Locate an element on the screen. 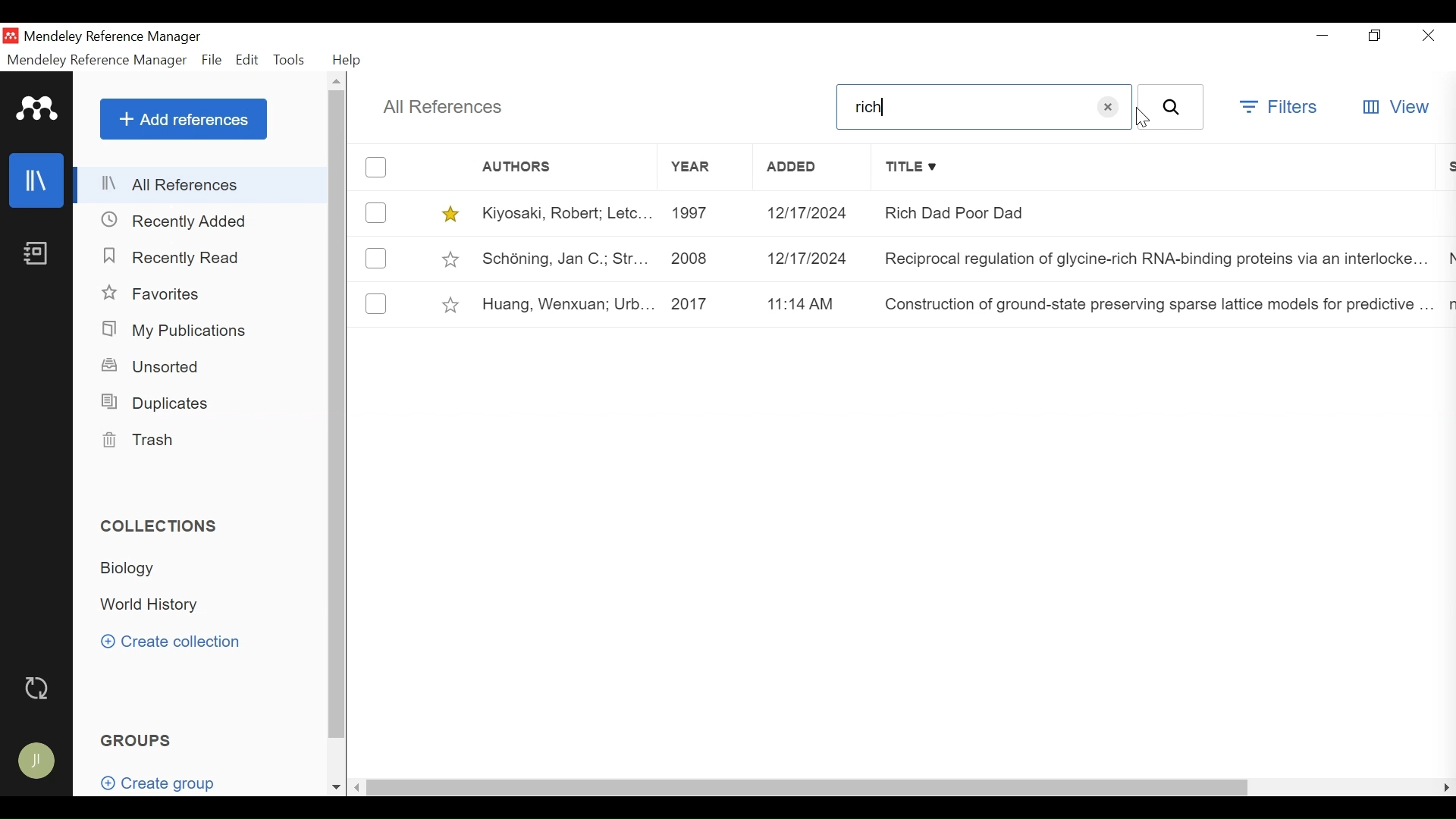 The width and height of the screenshot is (1456, 819). Mendeley Reference Manager is located at coordinates (97, 60).